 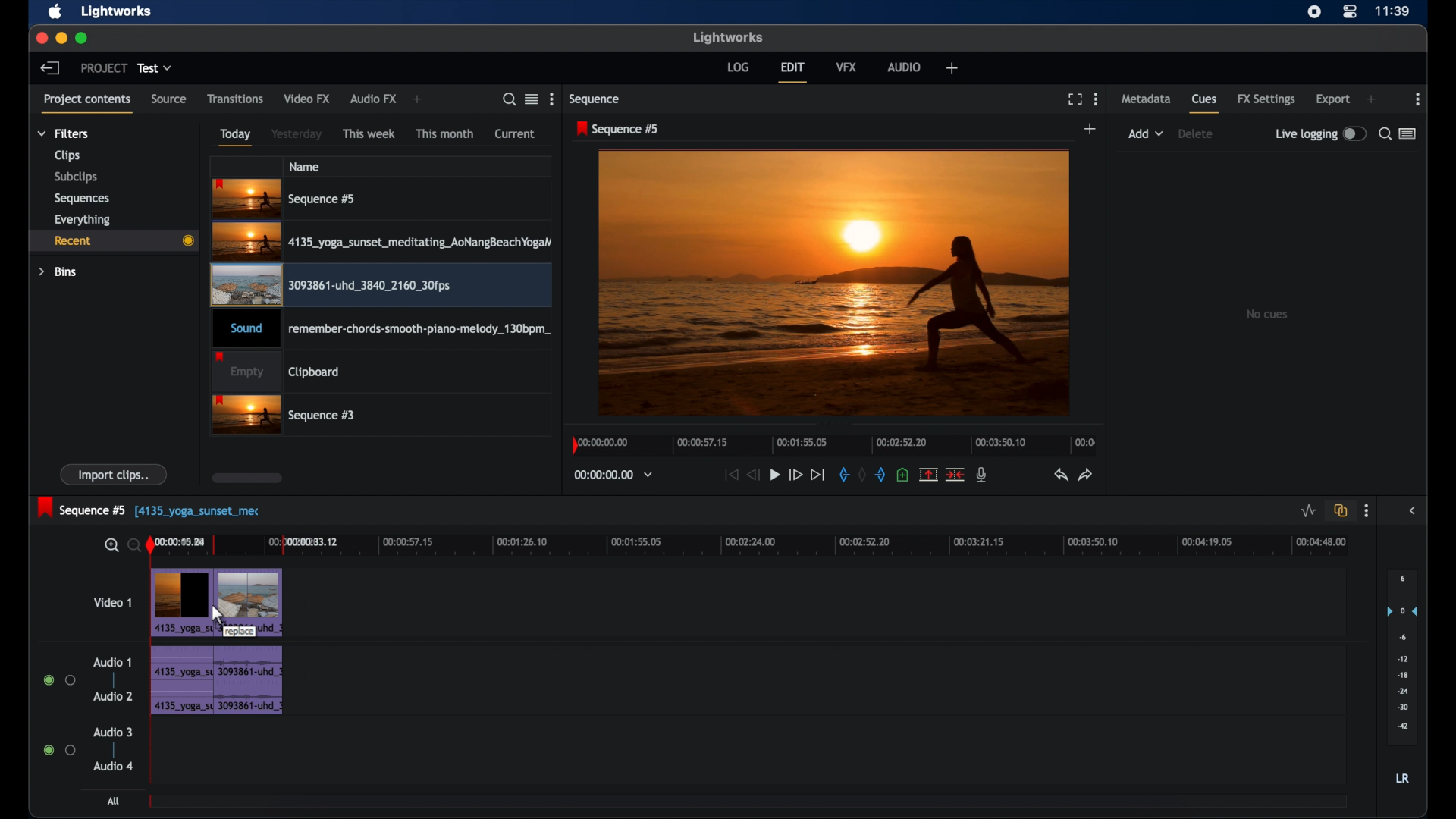 What do you see at coordinates (842, 475) in the screenshot?
I see `in mark` at bounding box center [842, 475].